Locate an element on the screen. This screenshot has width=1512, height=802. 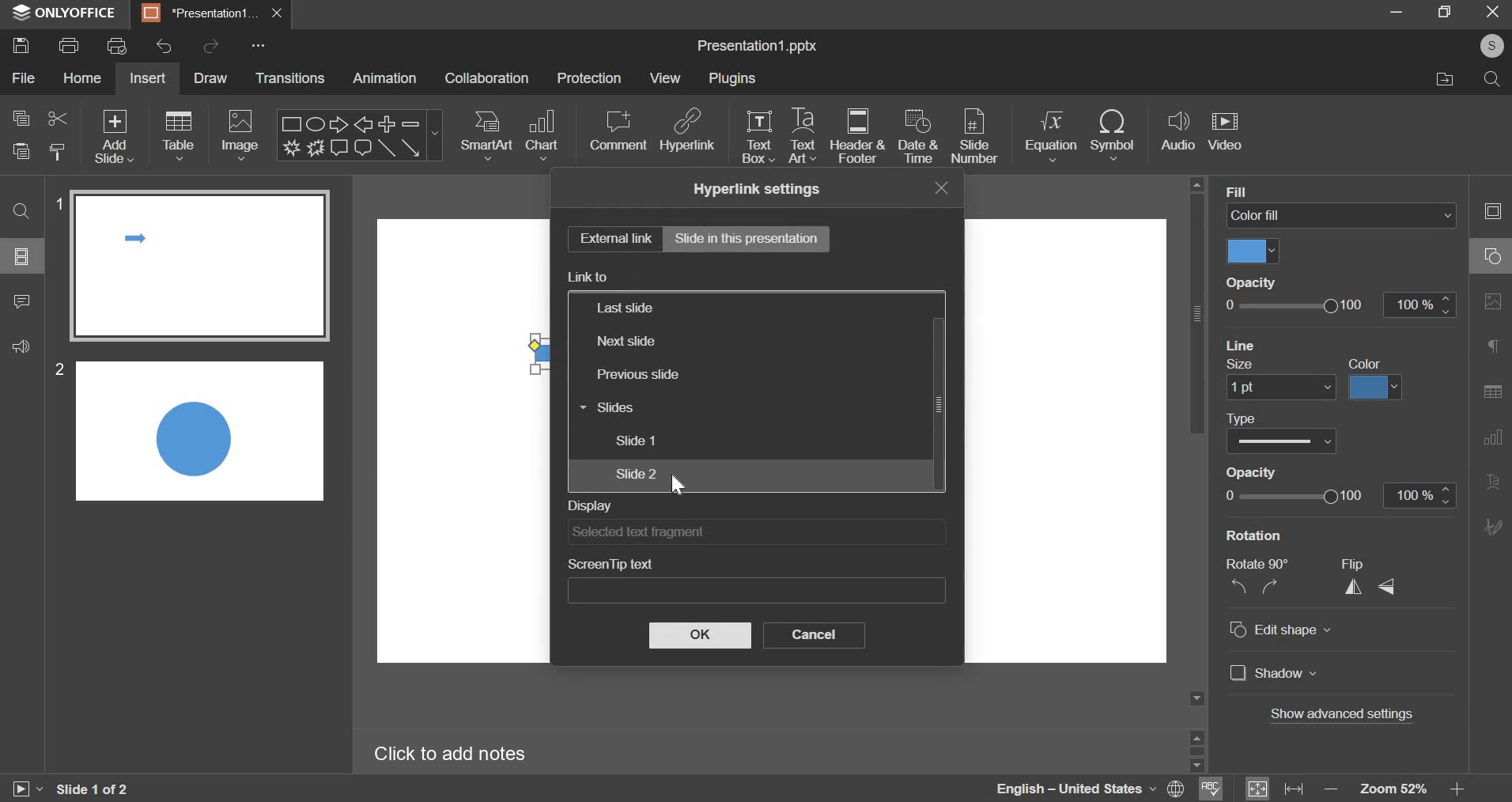
more shapes is located at coordinates (436, 133).